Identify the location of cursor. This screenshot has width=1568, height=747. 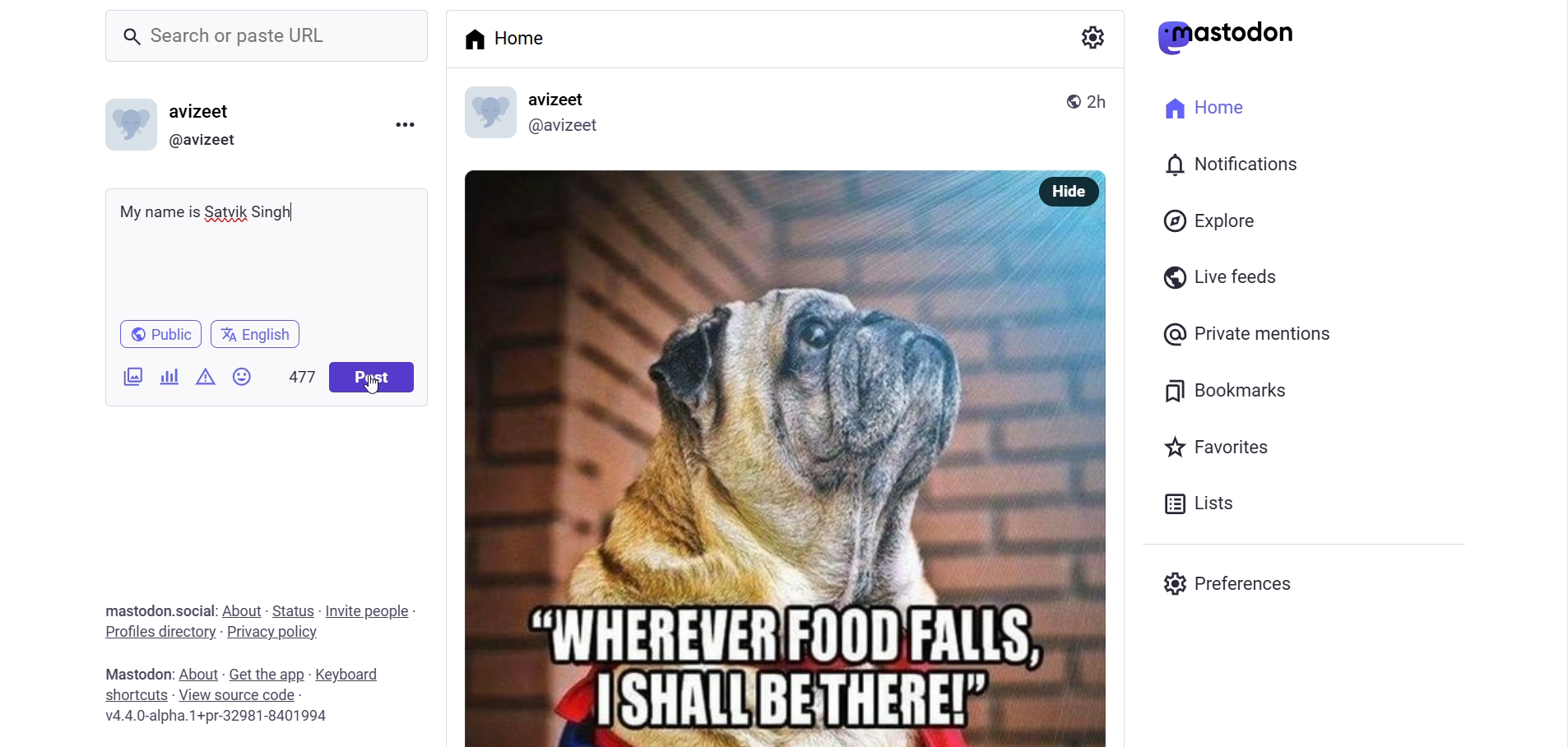
(373, 392).